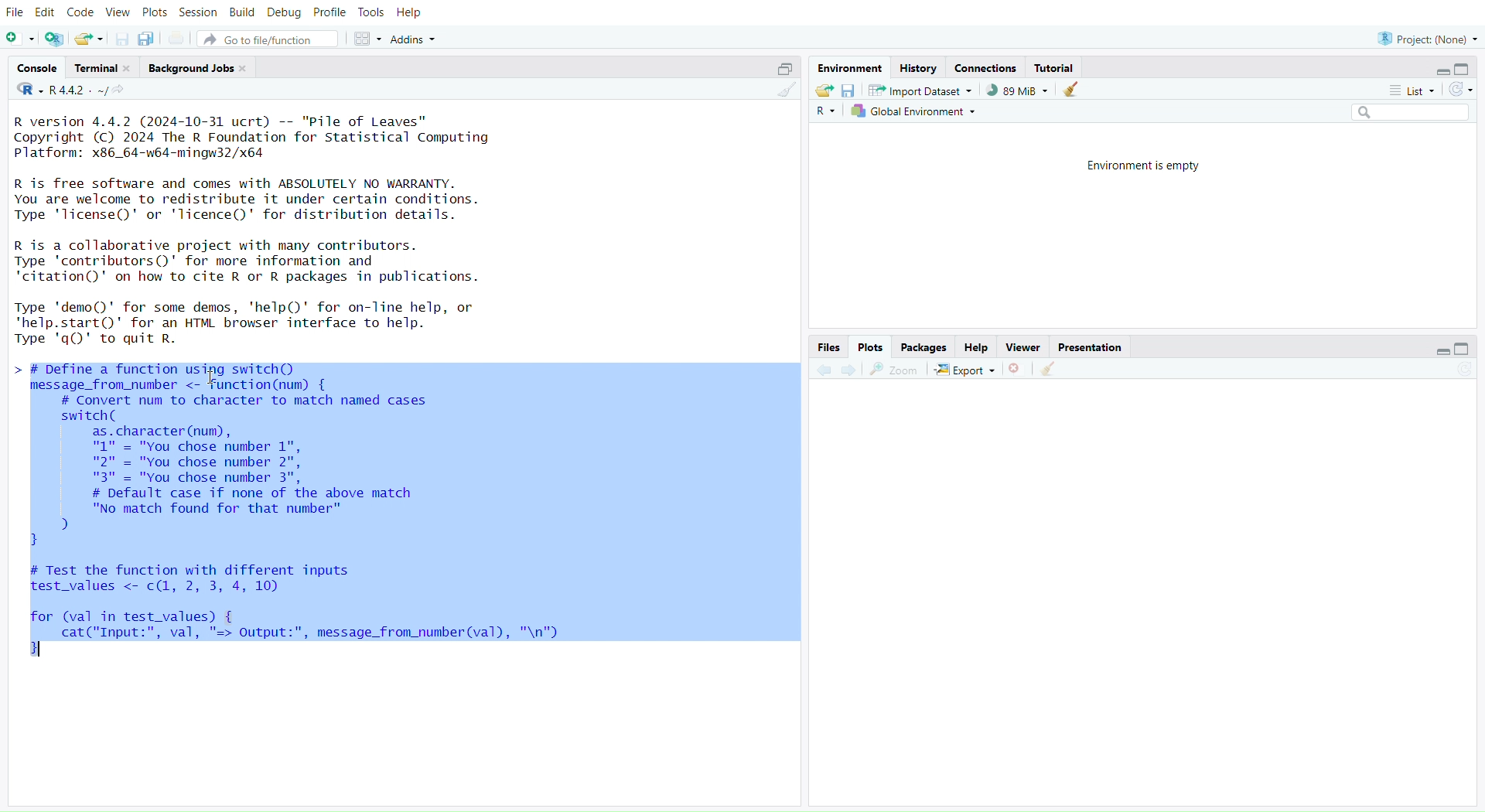 The width and height of the screenshot is (1485, 812). What do you see at coordinates (780, 70) in the screenshot?
I see `Maximize` at bounding box center [780, 70].